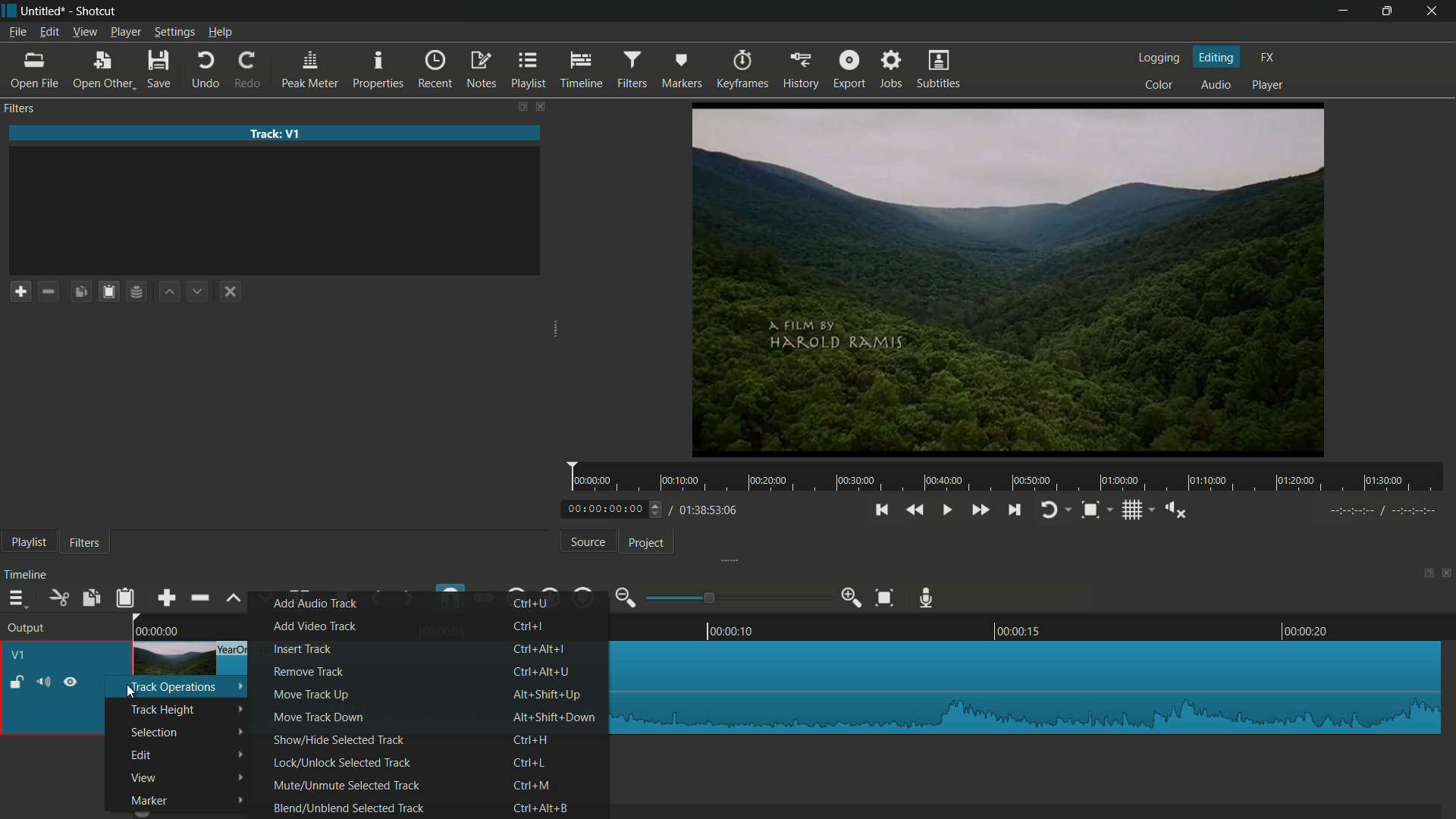  I want to click on toggle grid, so click(1131, 510).